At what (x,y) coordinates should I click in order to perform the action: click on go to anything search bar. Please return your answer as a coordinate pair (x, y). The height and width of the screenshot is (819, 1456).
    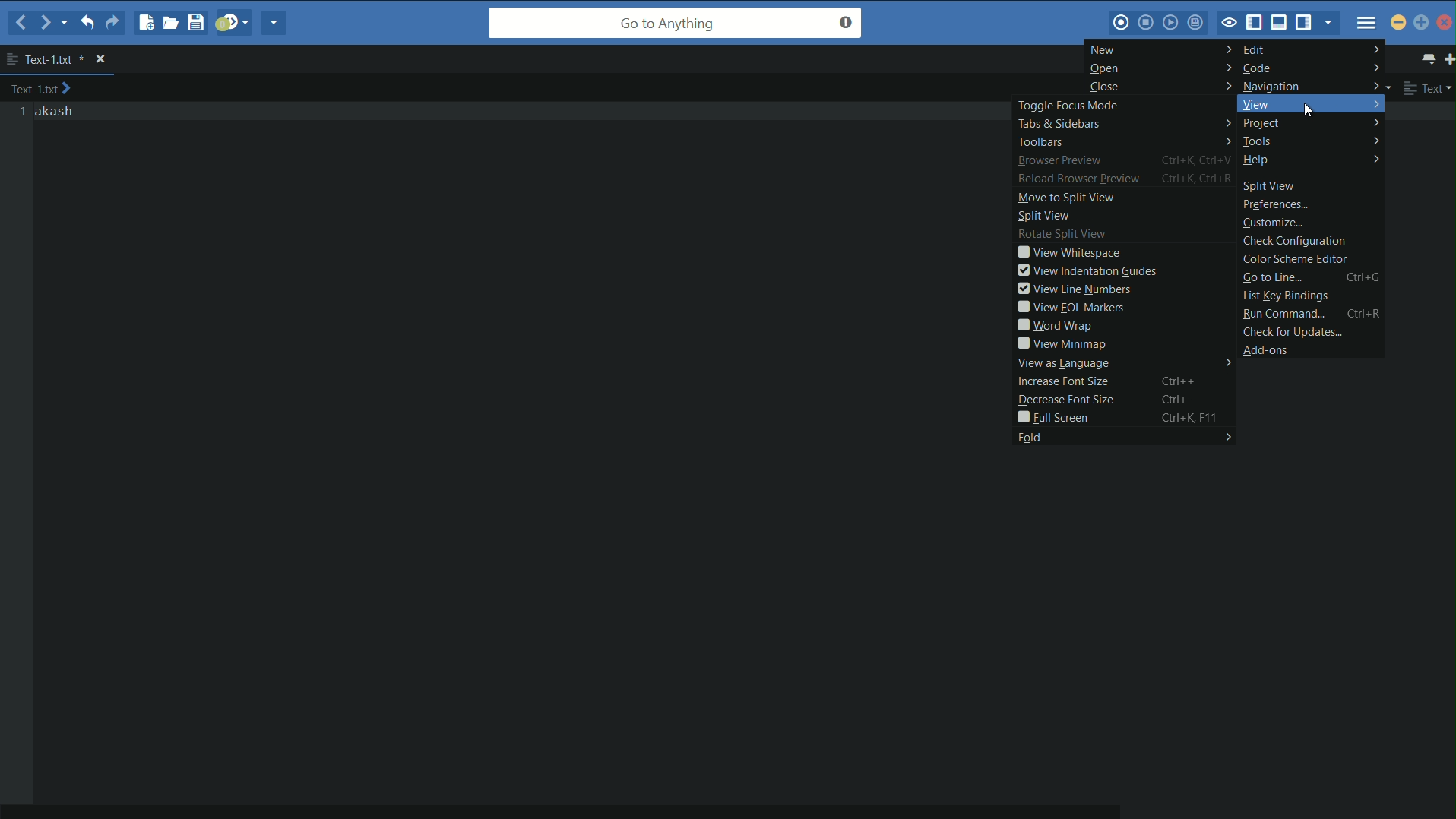
    Looking at the image, I should click on (676, 23).